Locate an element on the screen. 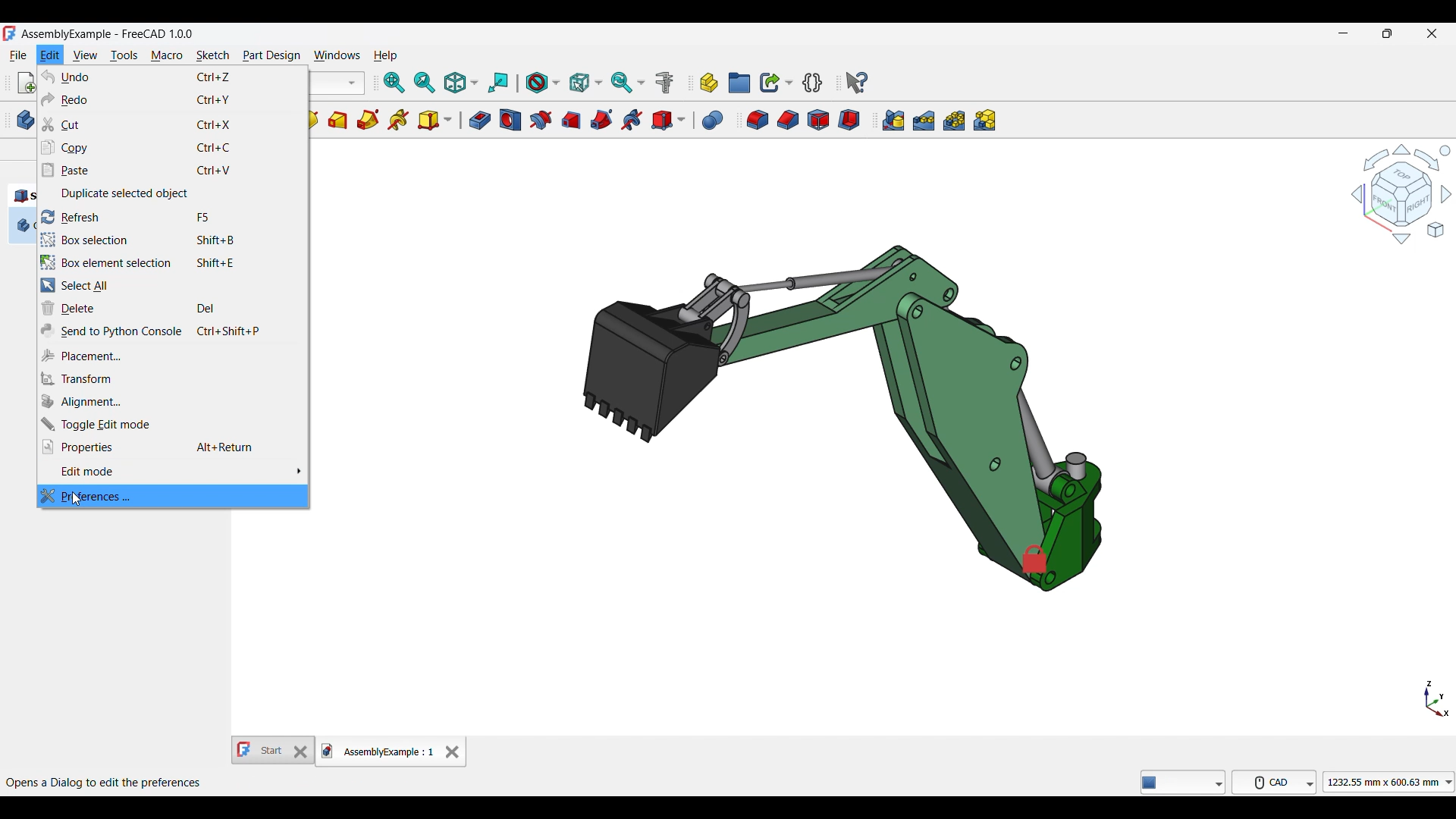  Toggle edit mode is located at coordinates (172, 425).